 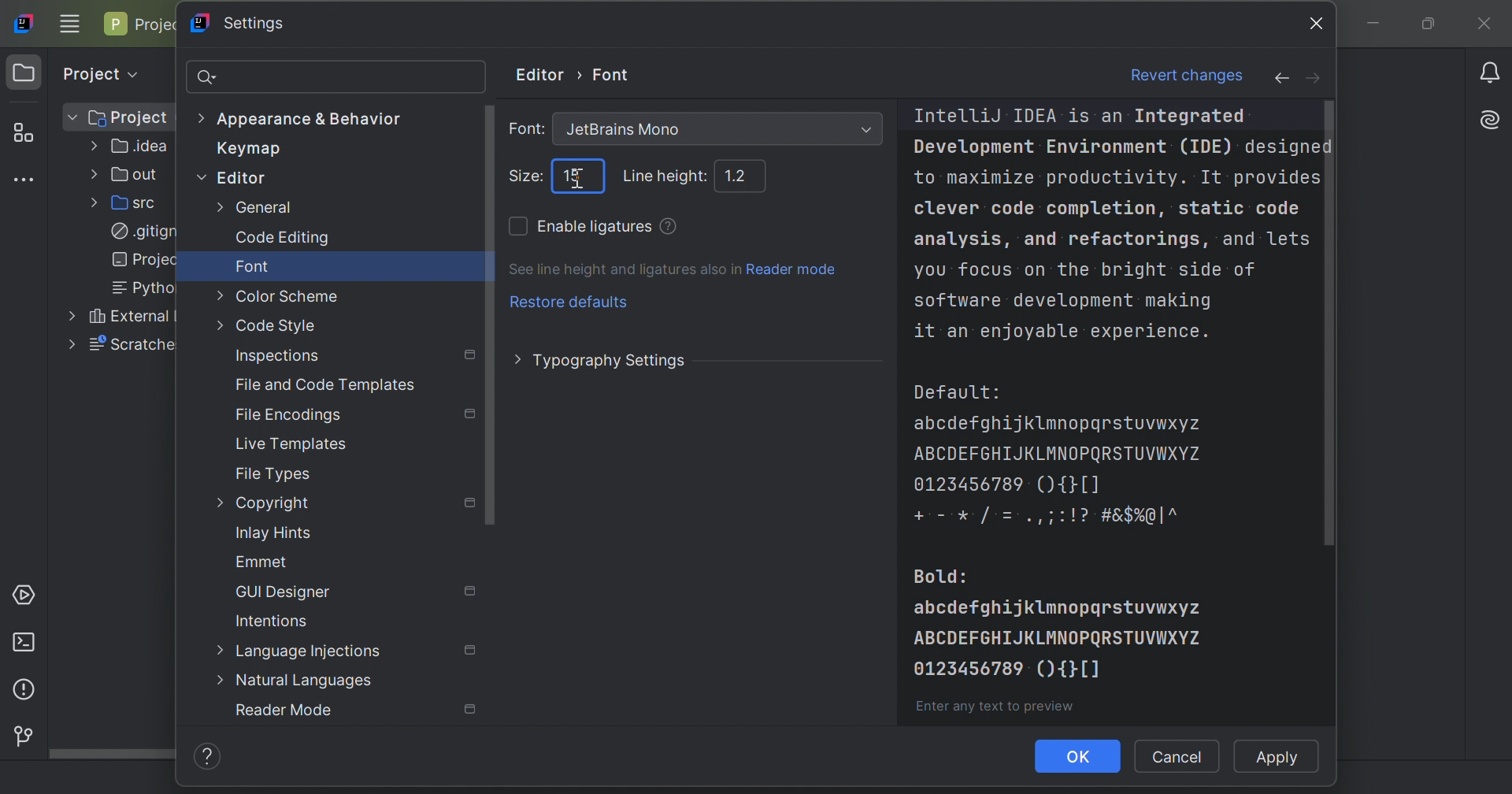 I want to click on Arrow, so click(x=581, y=74).